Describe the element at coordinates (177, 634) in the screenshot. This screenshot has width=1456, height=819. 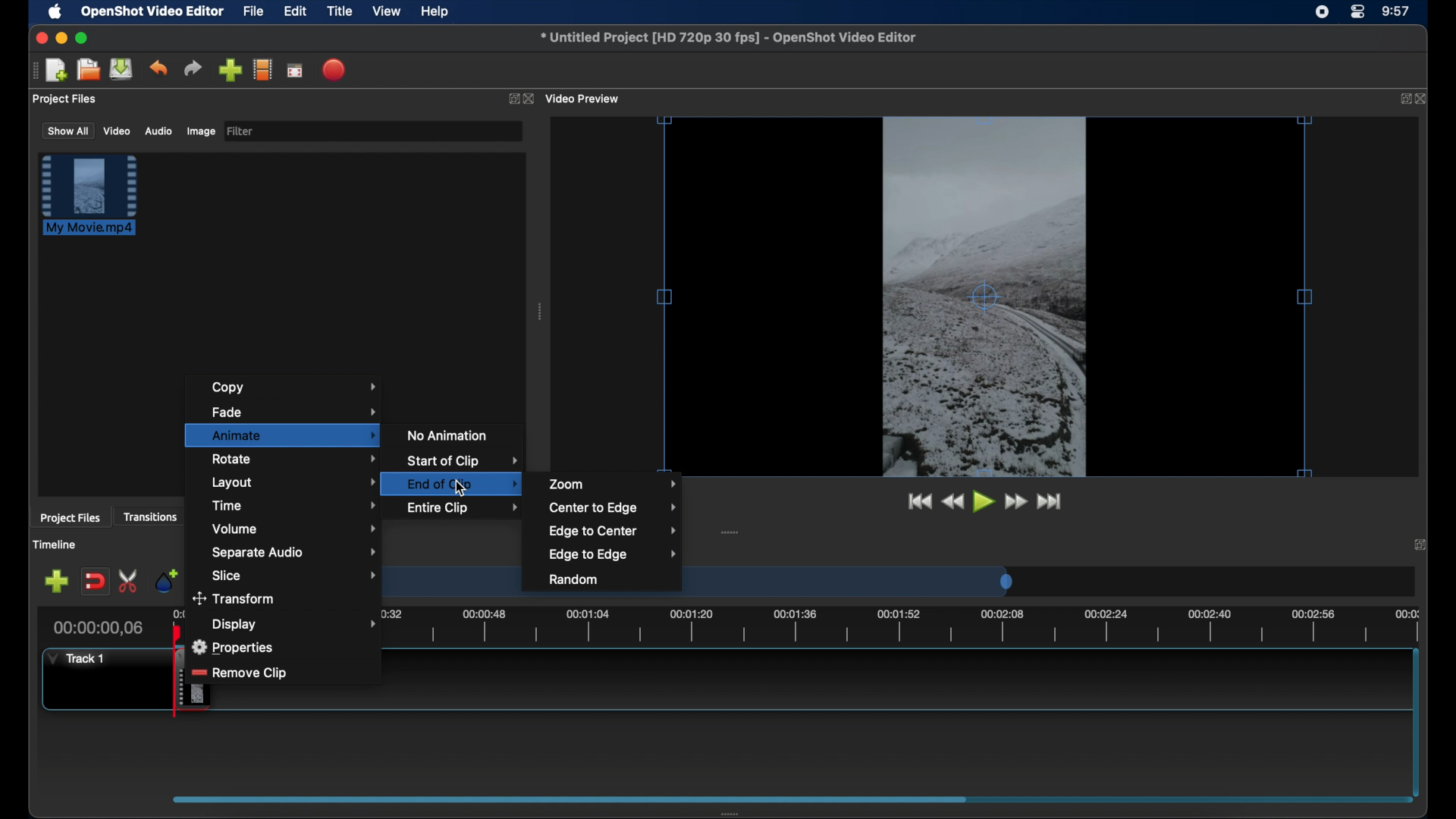
I see `playhead` at that location.